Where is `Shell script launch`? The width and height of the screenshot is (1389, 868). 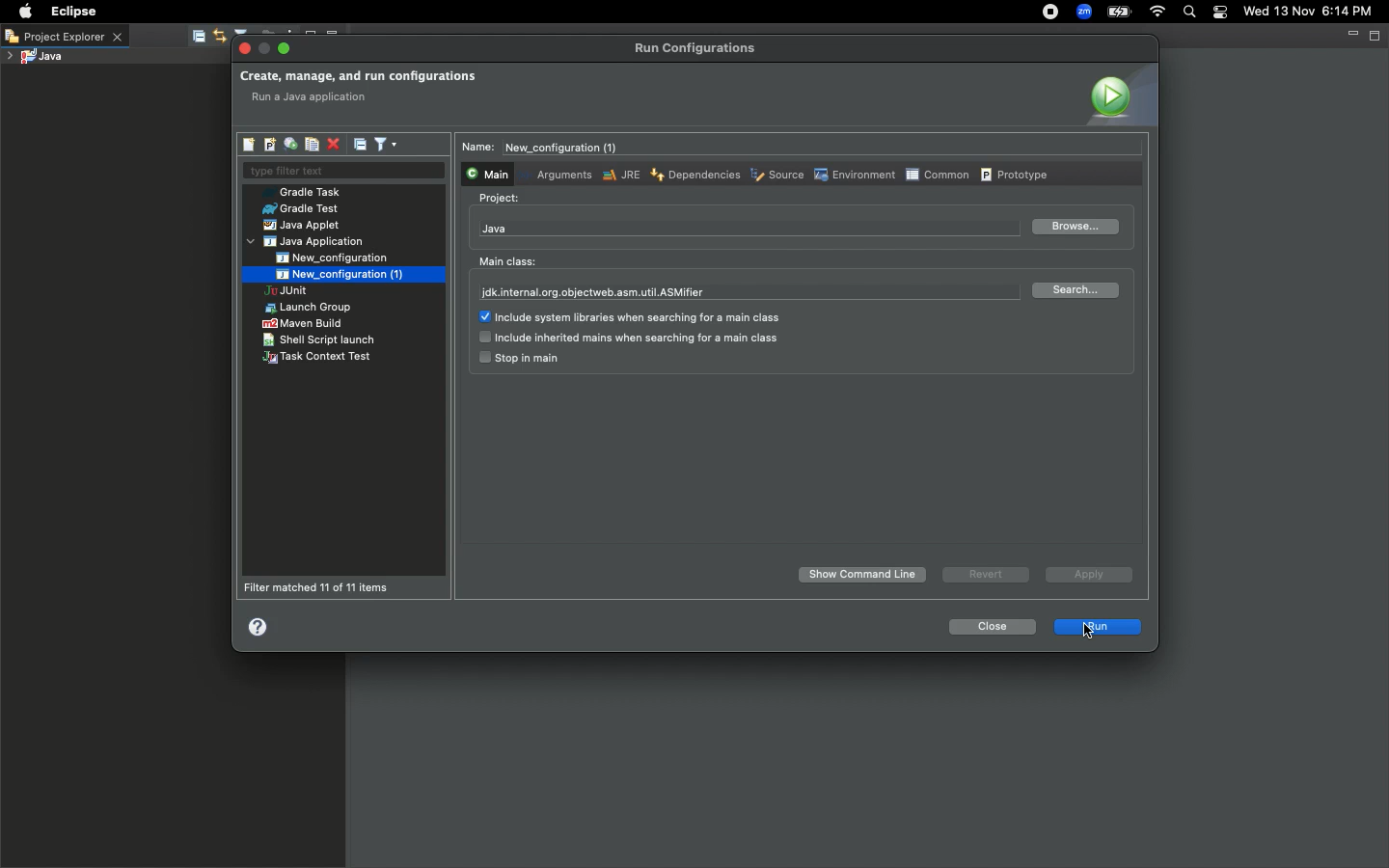
Shell script launch is located at coordinates (320, 339).